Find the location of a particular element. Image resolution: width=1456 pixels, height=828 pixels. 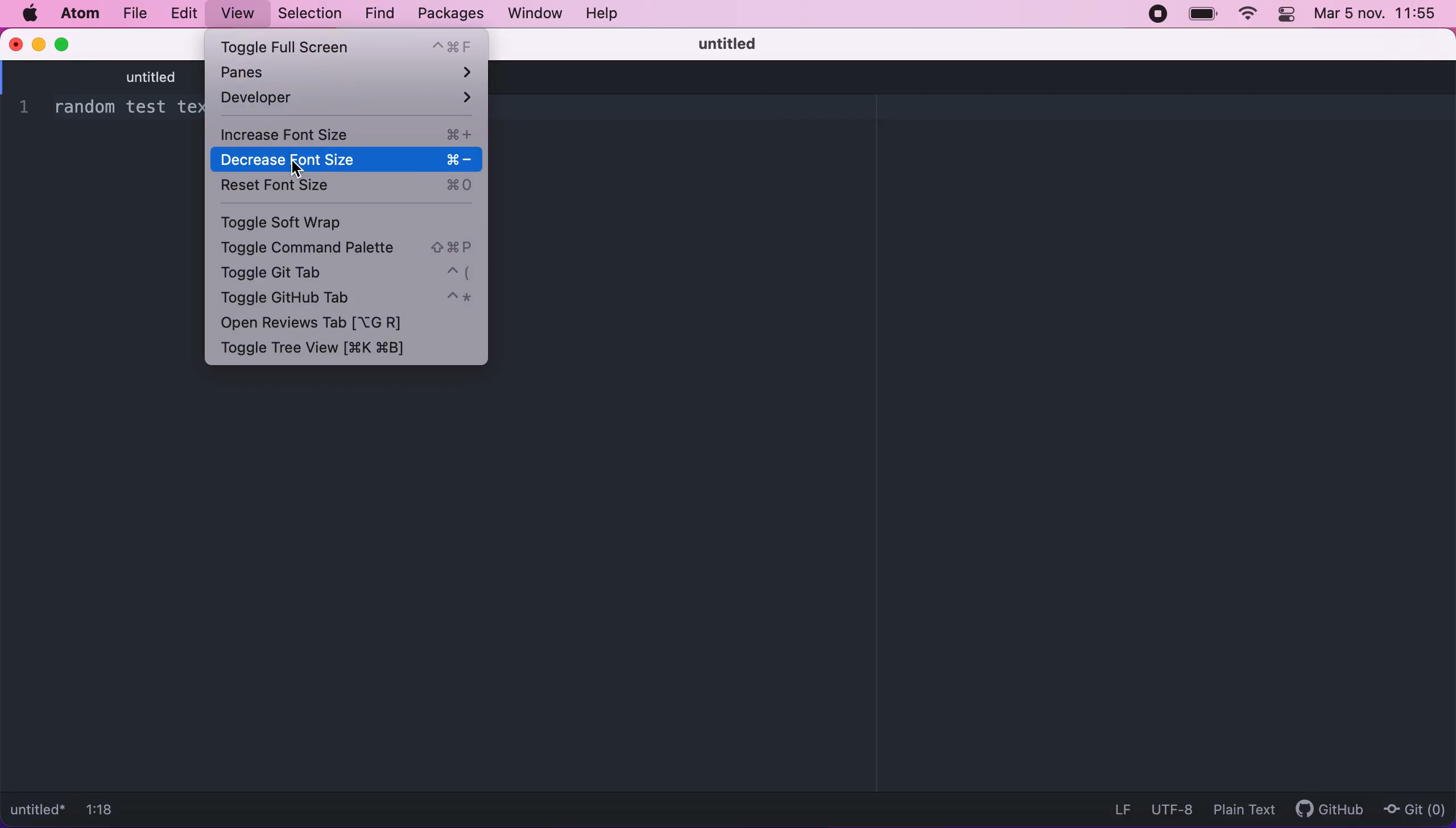

toggle git tab is located at coordinates (349, 276).